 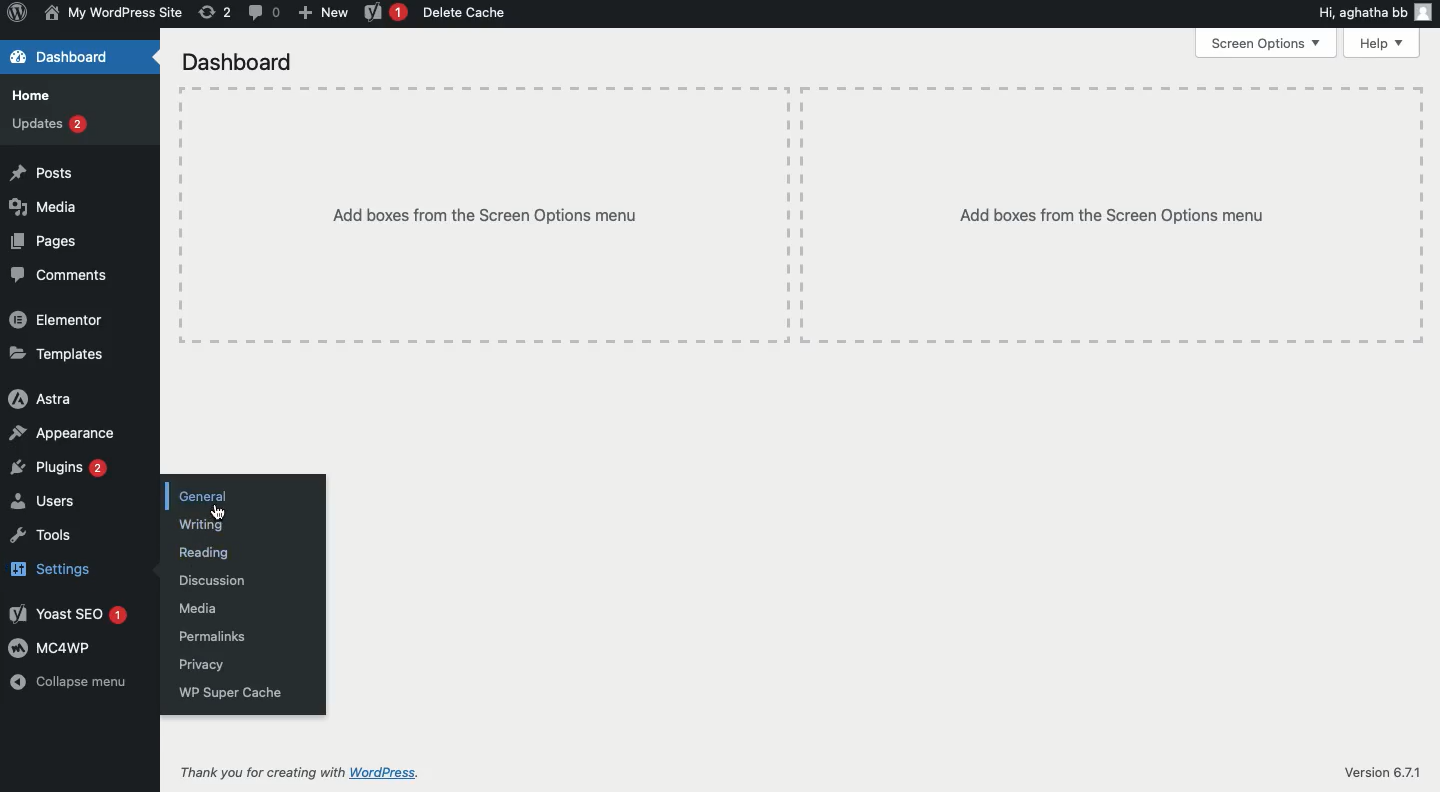 I want to click on Revisions (2), so click(x=215, y=12).